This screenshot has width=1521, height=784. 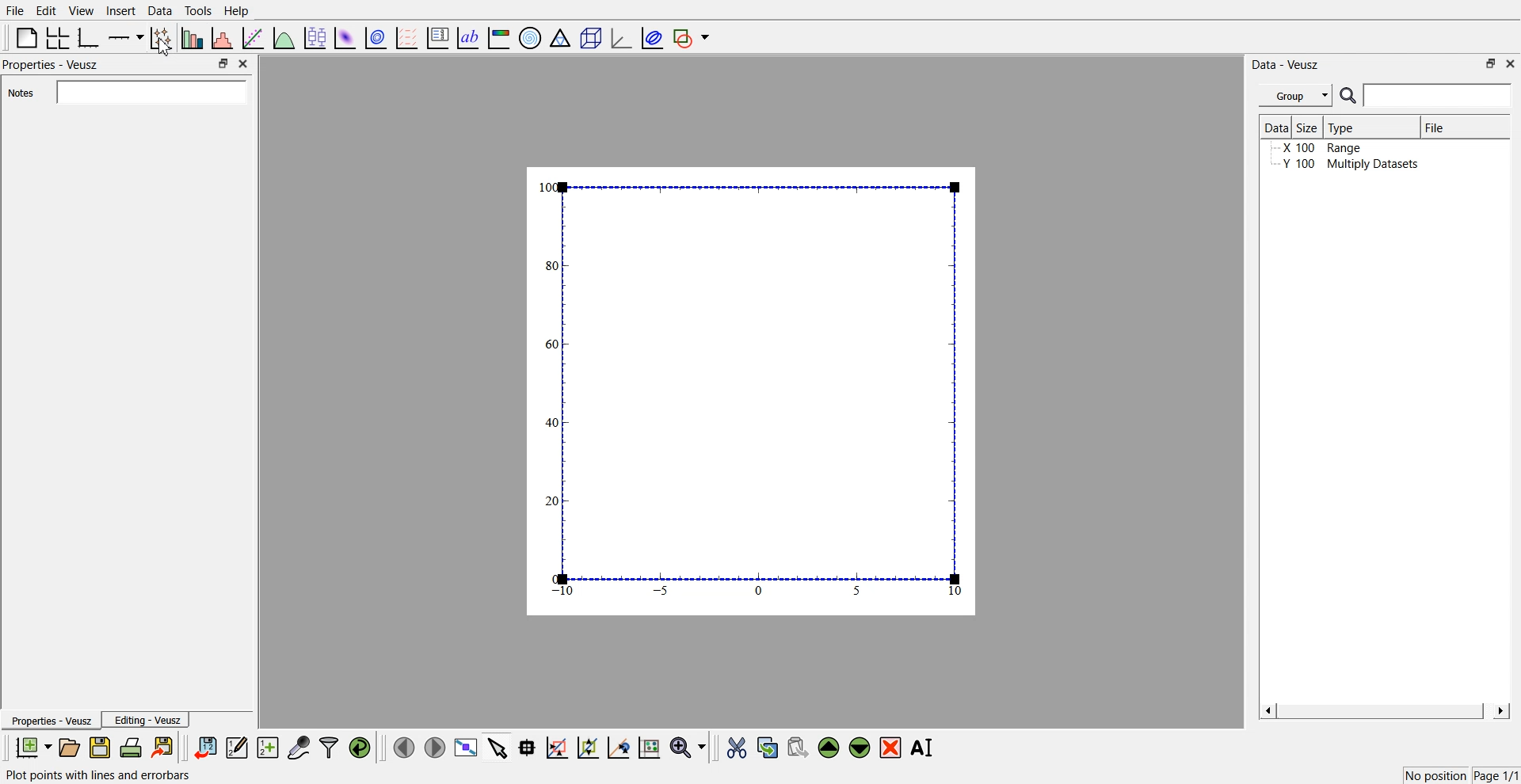 I want to click on remove the selected widgets, so click(x=892, y=748).